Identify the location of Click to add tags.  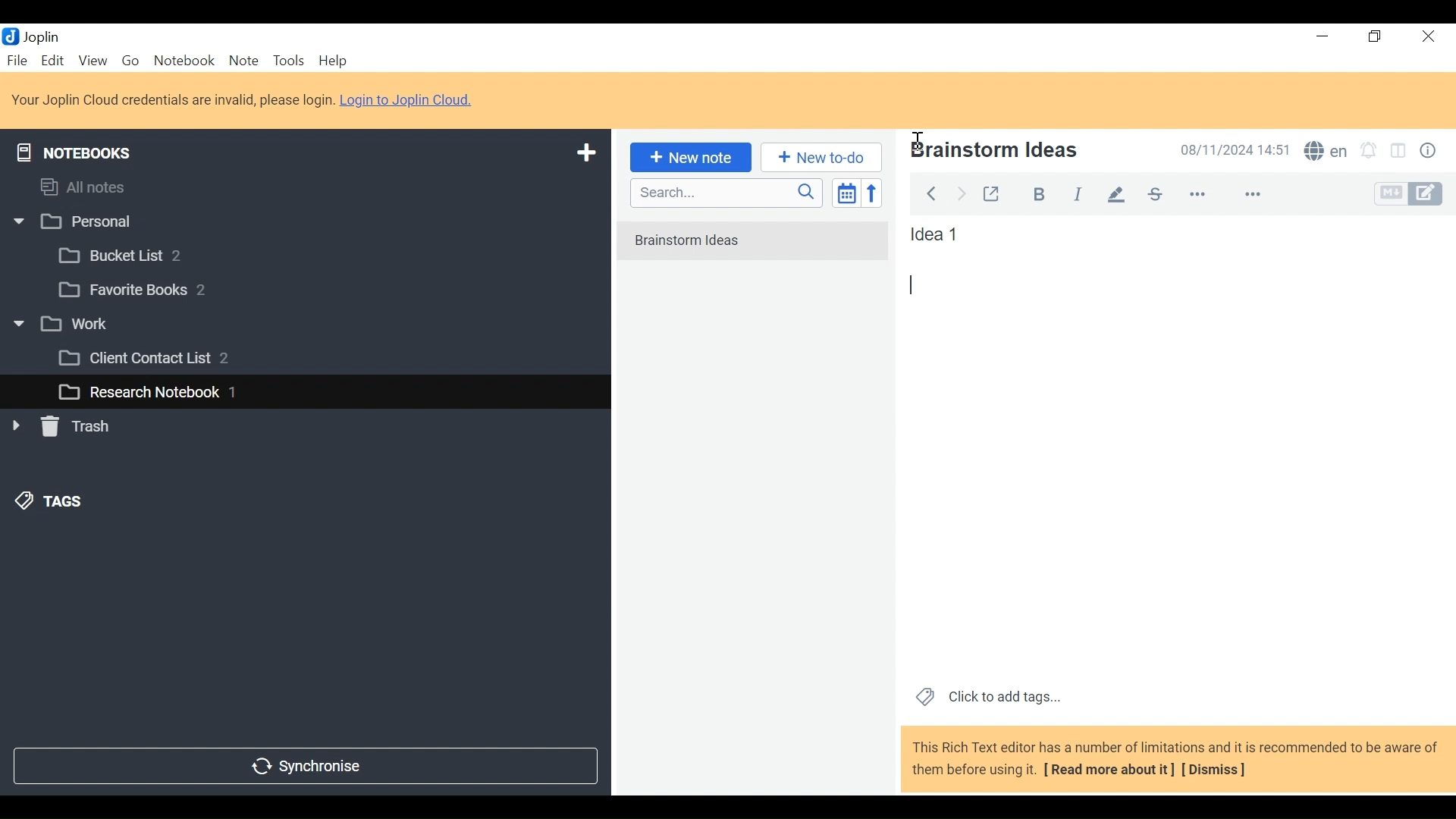
(985, 695).